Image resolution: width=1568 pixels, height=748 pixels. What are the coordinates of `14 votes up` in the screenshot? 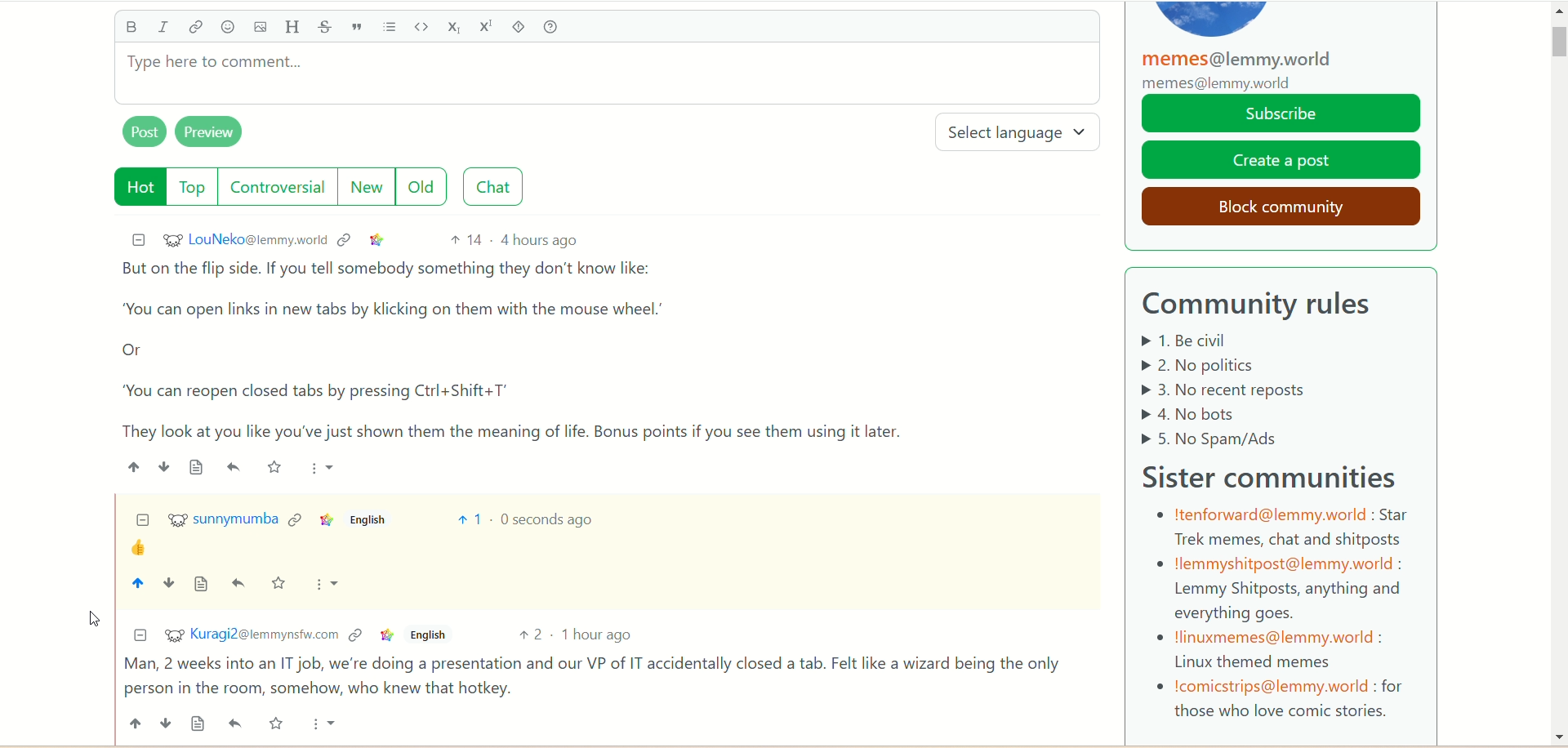 It's located at (465, 240).